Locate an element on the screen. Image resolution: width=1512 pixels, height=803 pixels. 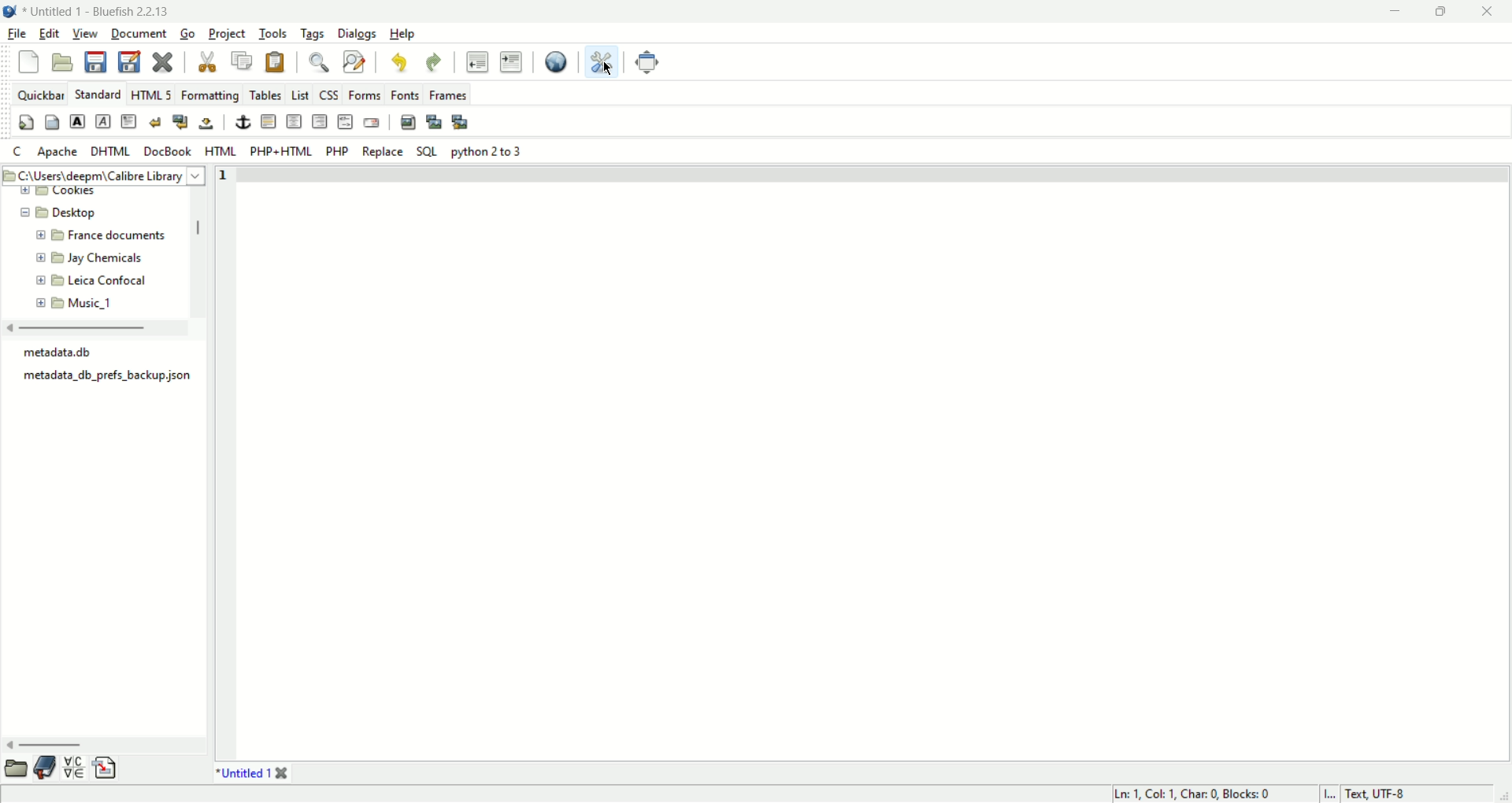
metadata_db_prefs_backup json is located at coordinates (113, 376).